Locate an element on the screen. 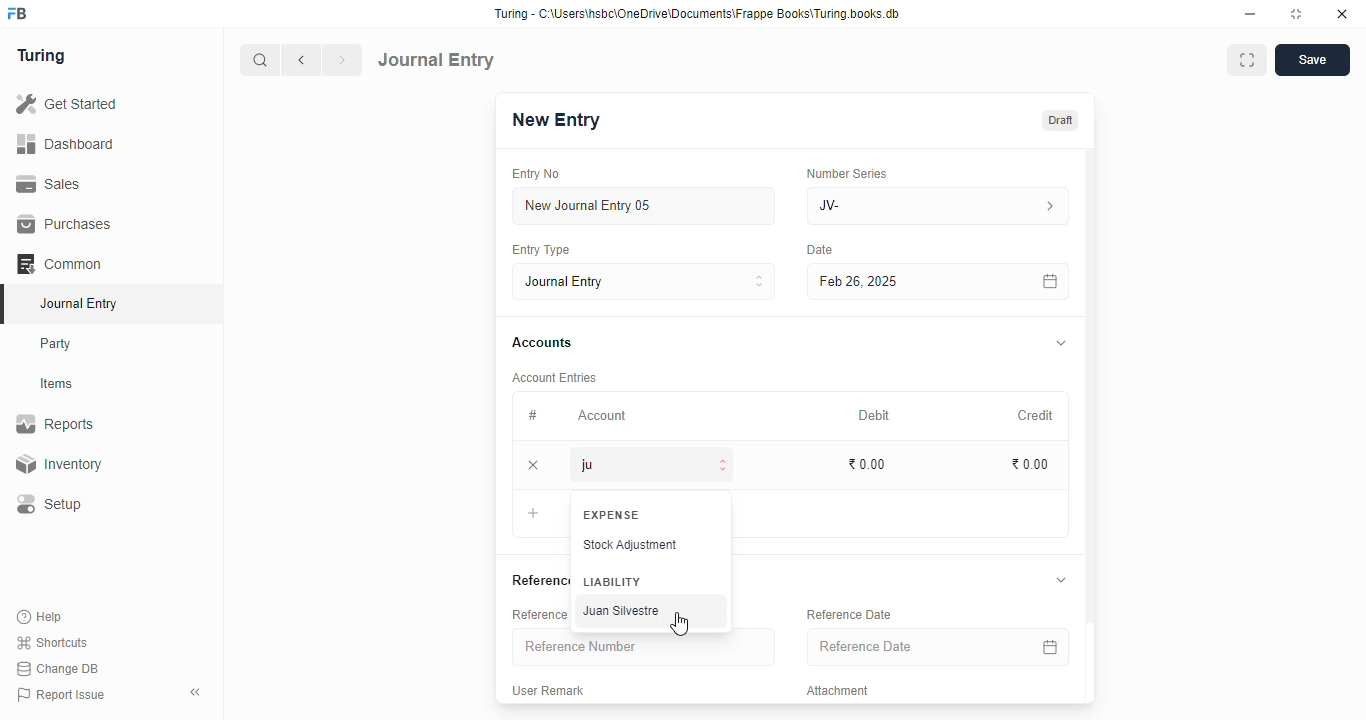 This screenshot has width=1366, height=720. help is located at coordinates (41, 616).